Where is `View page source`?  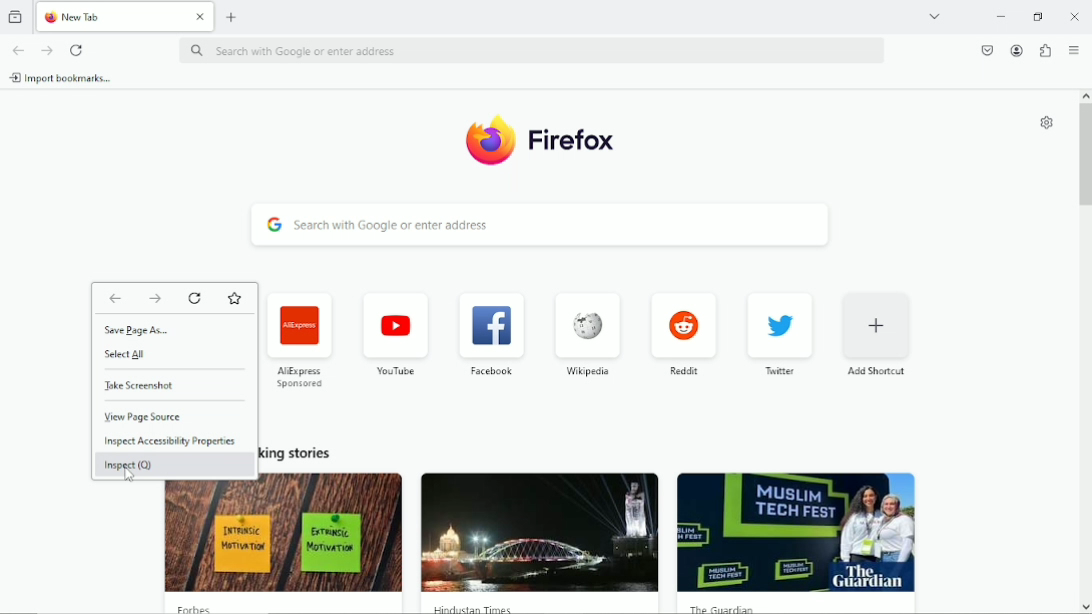 View page source is located at coordinates (143, 417).